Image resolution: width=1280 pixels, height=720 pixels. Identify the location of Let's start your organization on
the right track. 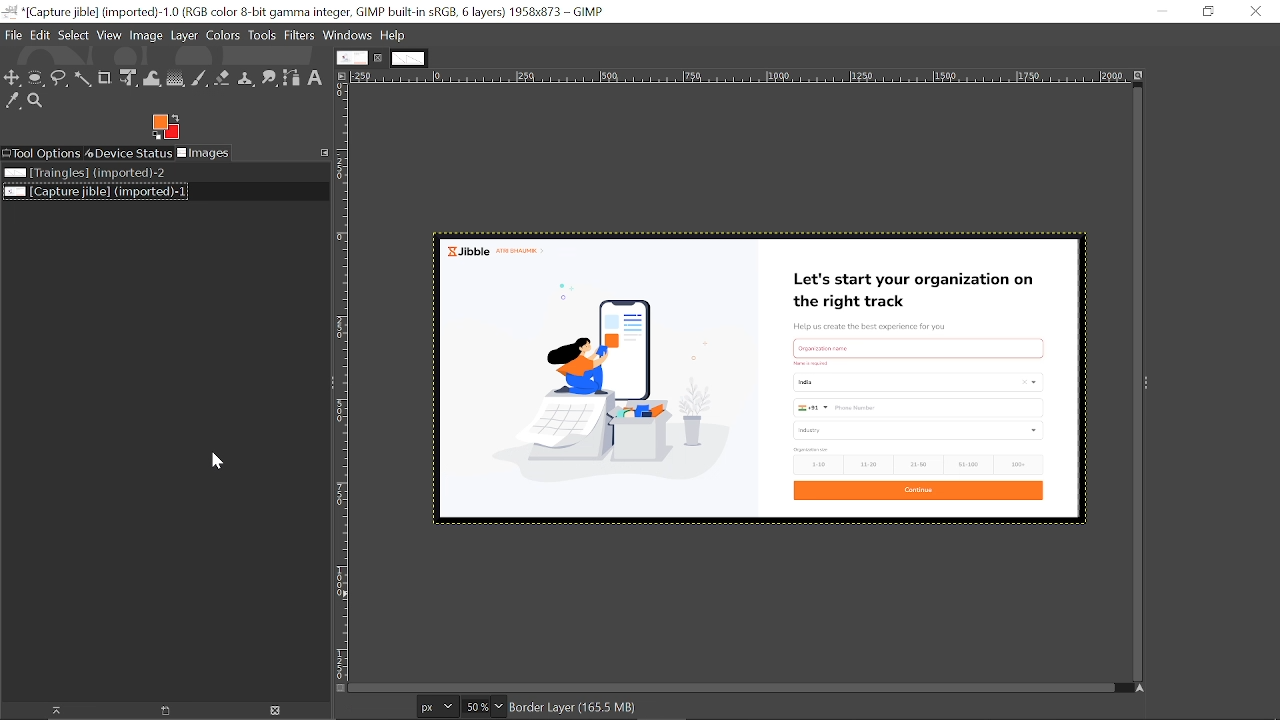
(910, 289).